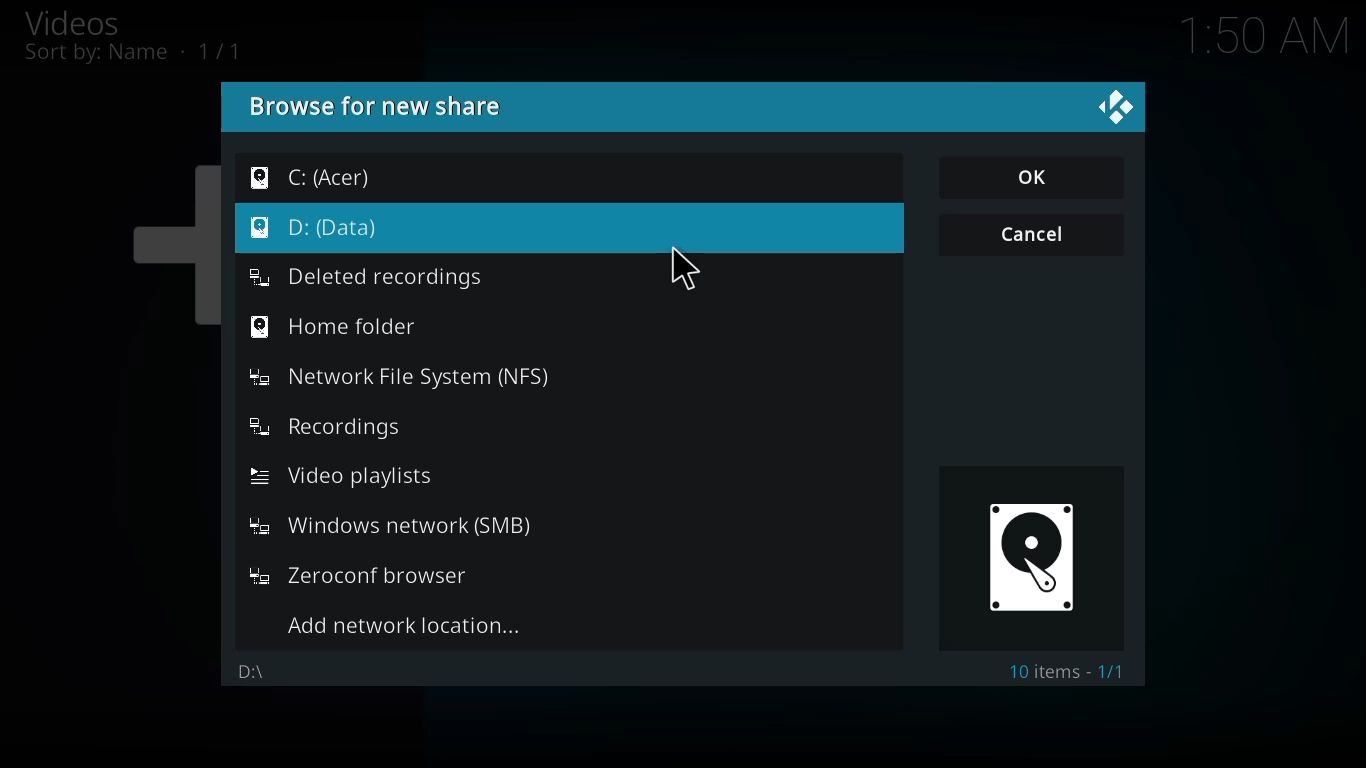 This screenshot has width=1366, height=768. I want to click on add network location, so click(403, 624).